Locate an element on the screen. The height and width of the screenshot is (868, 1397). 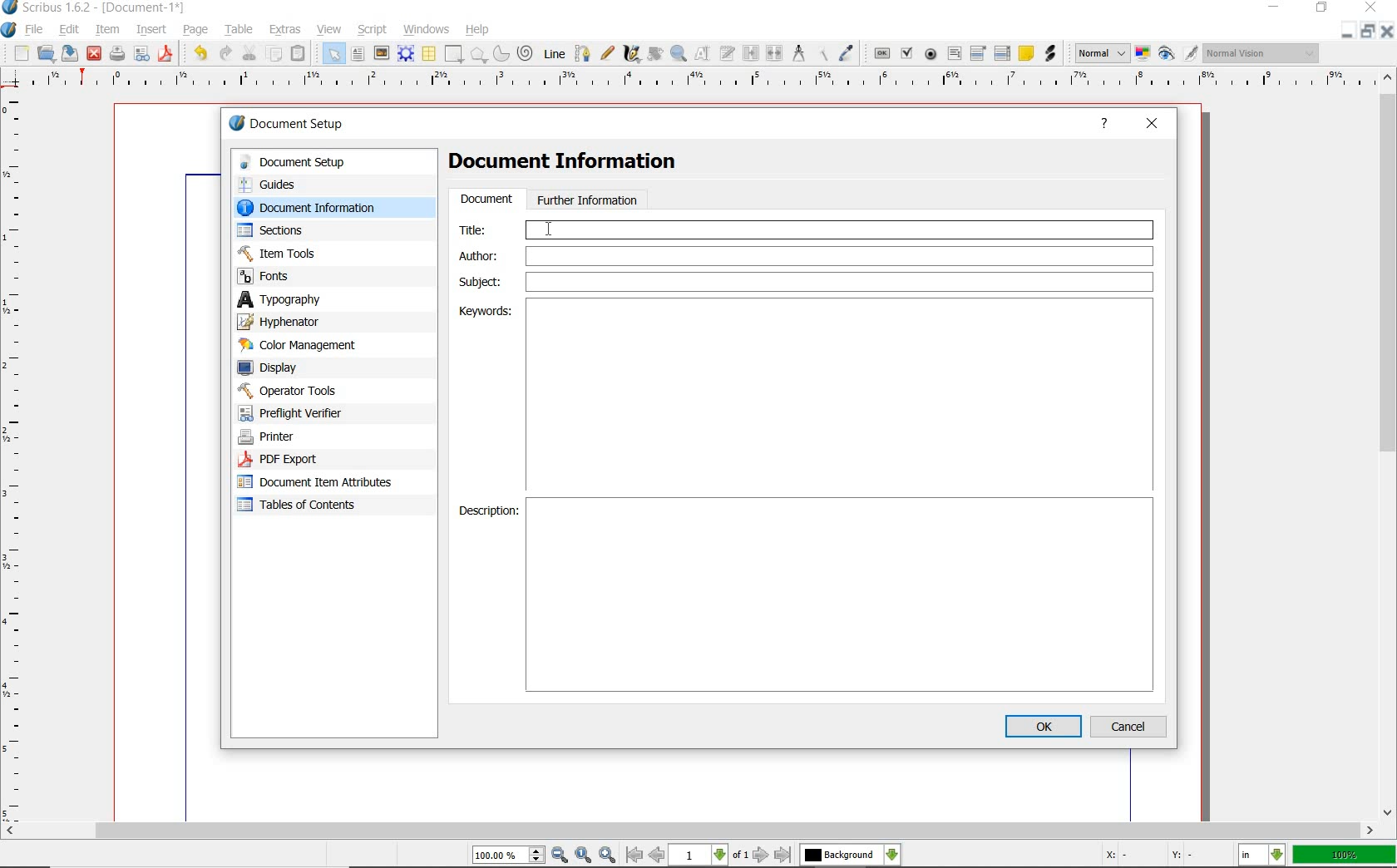
rotate item is located at coordinates (655, 55).